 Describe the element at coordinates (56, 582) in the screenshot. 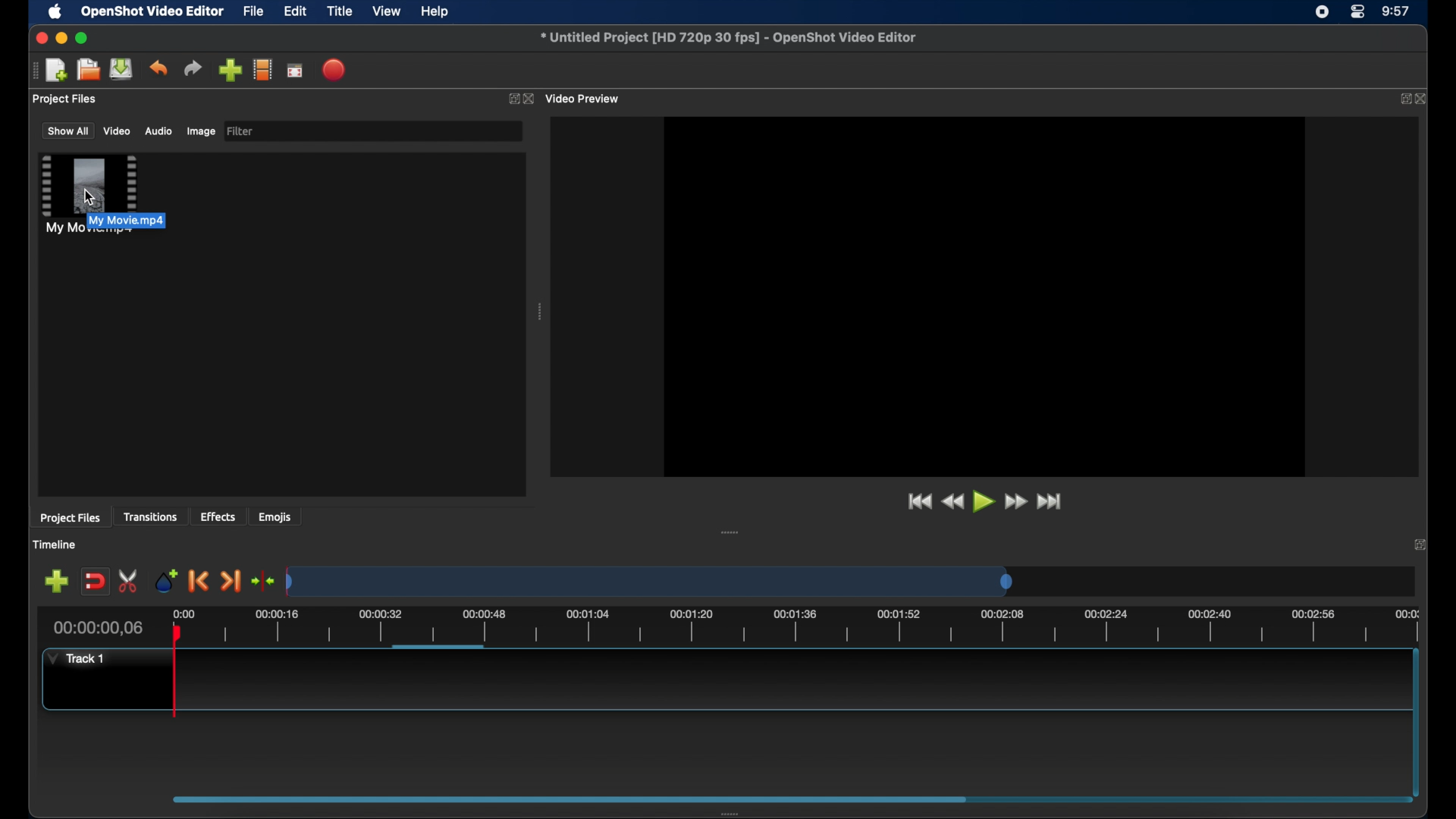

I see `add track` at that location.